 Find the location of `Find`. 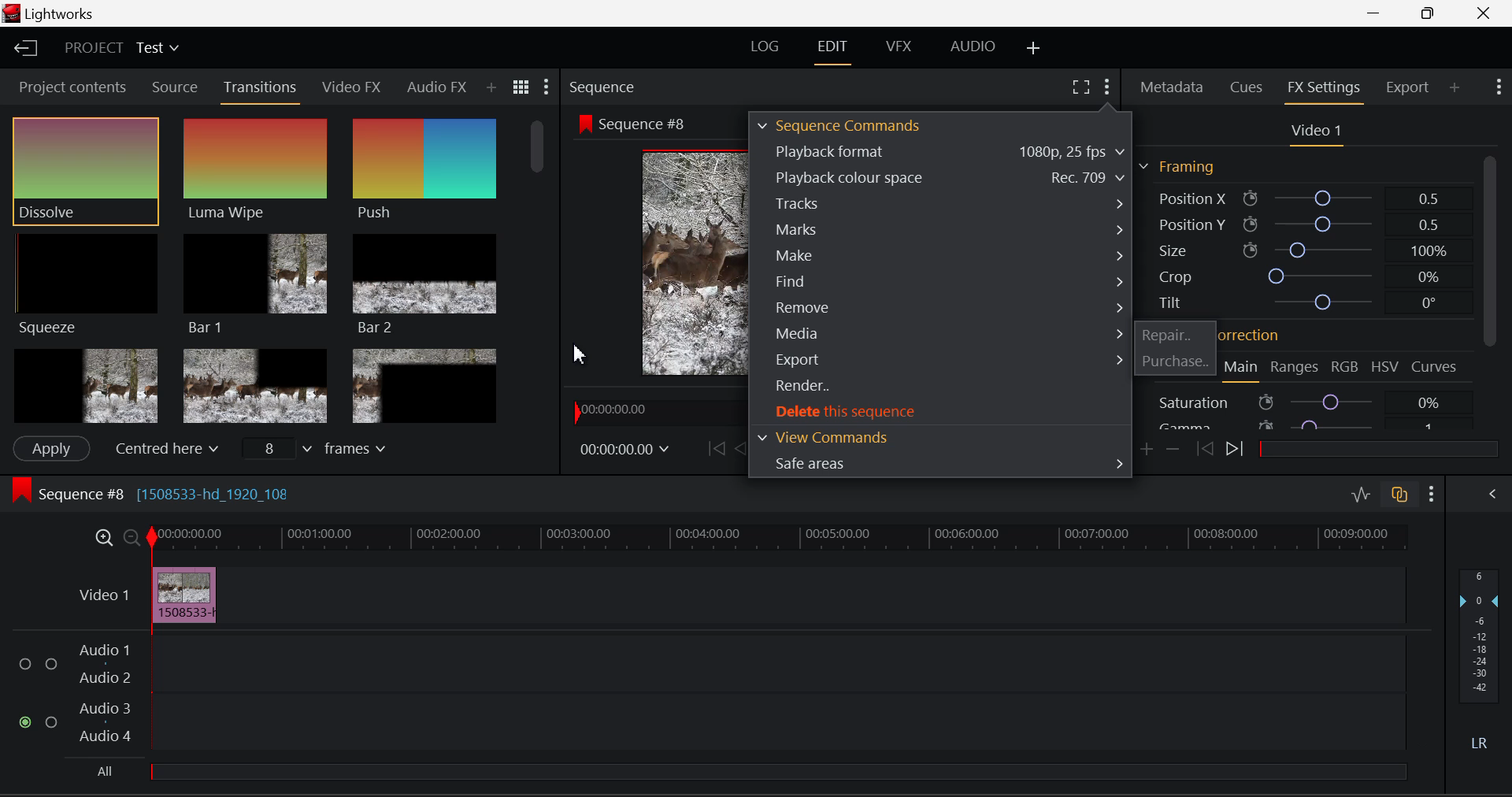

Find is located at coordinates (942, 280).